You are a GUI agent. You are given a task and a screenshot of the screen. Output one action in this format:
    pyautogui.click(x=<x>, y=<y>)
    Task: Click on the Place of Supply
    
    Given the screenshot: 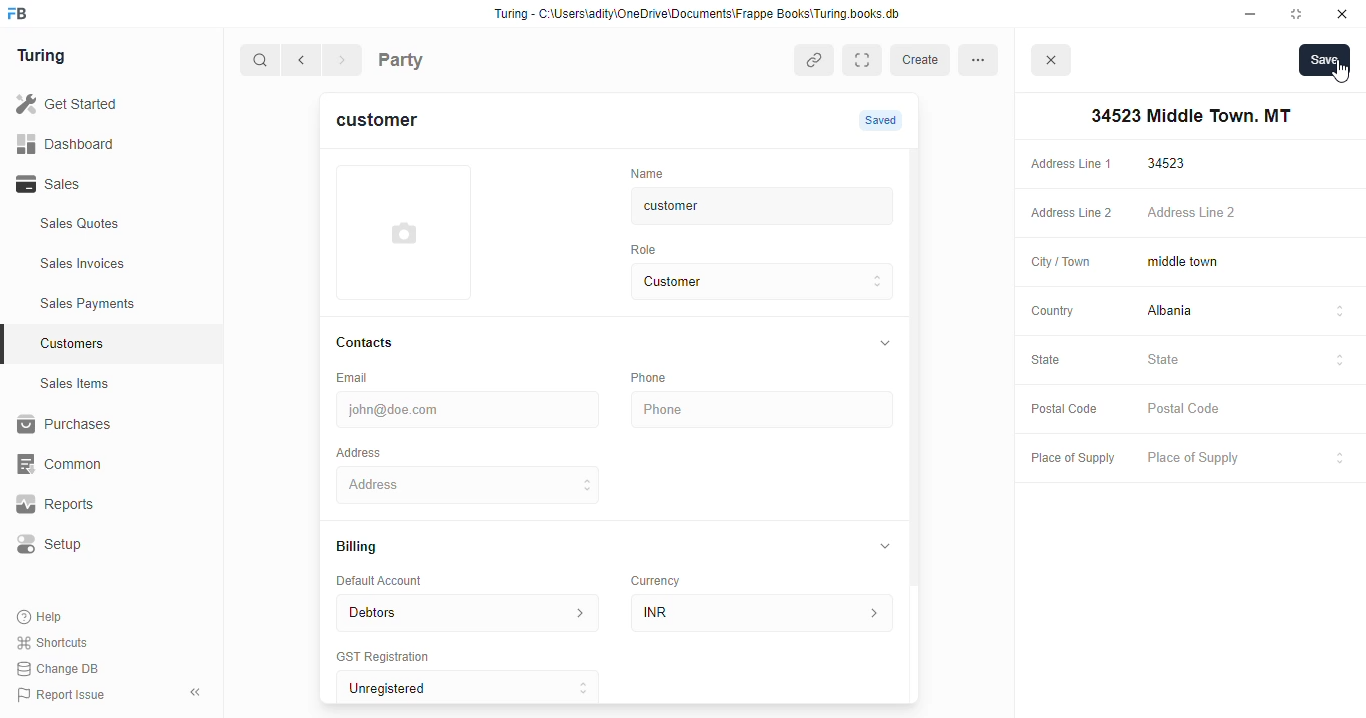 What is the action you would take?
    pyautogui.click(x=1243, y=459)
    